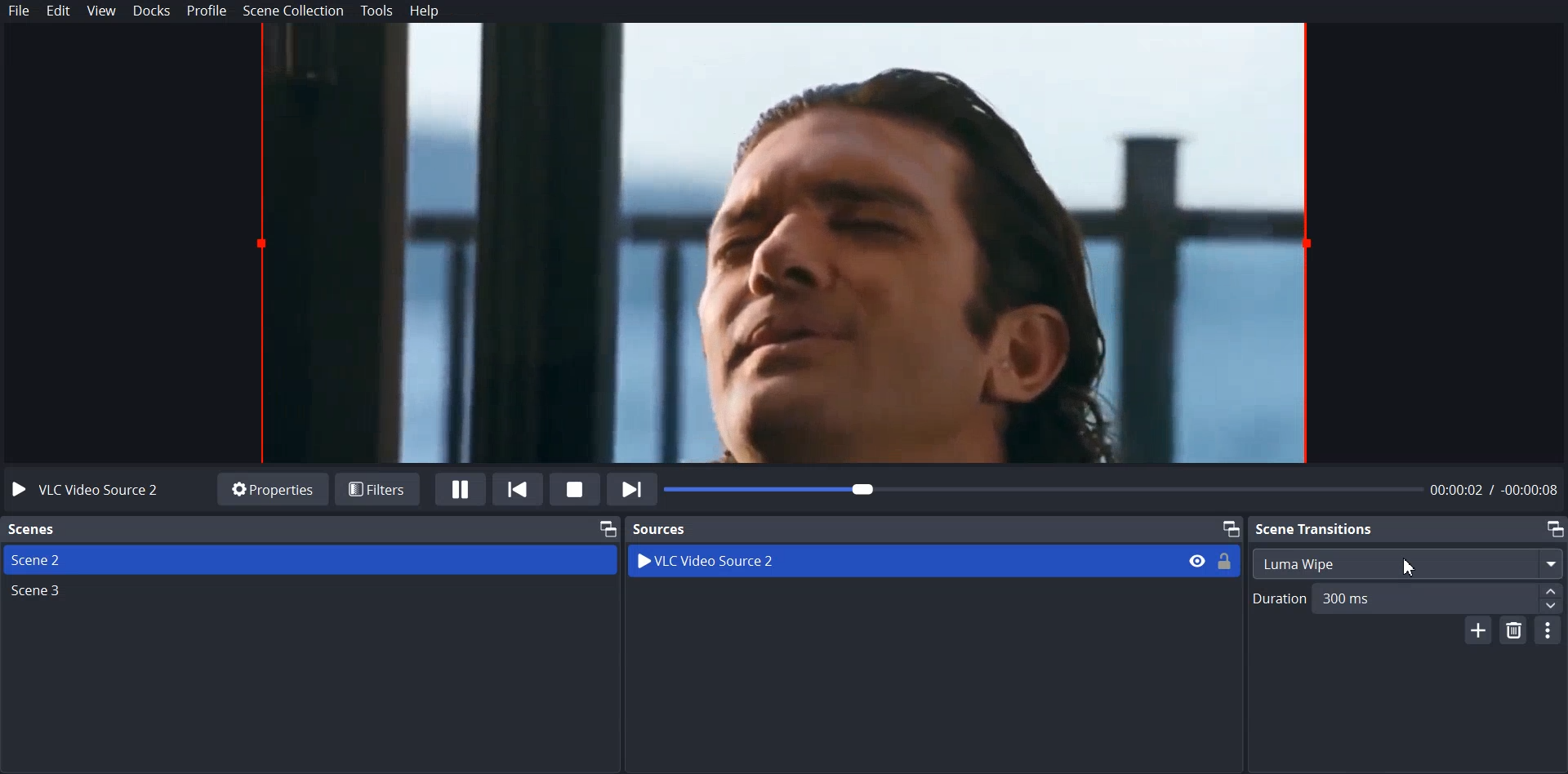  What do you see at coordinates (377, 11) in the screenshot?
I see `Tools` at bounding box center [377, 11].